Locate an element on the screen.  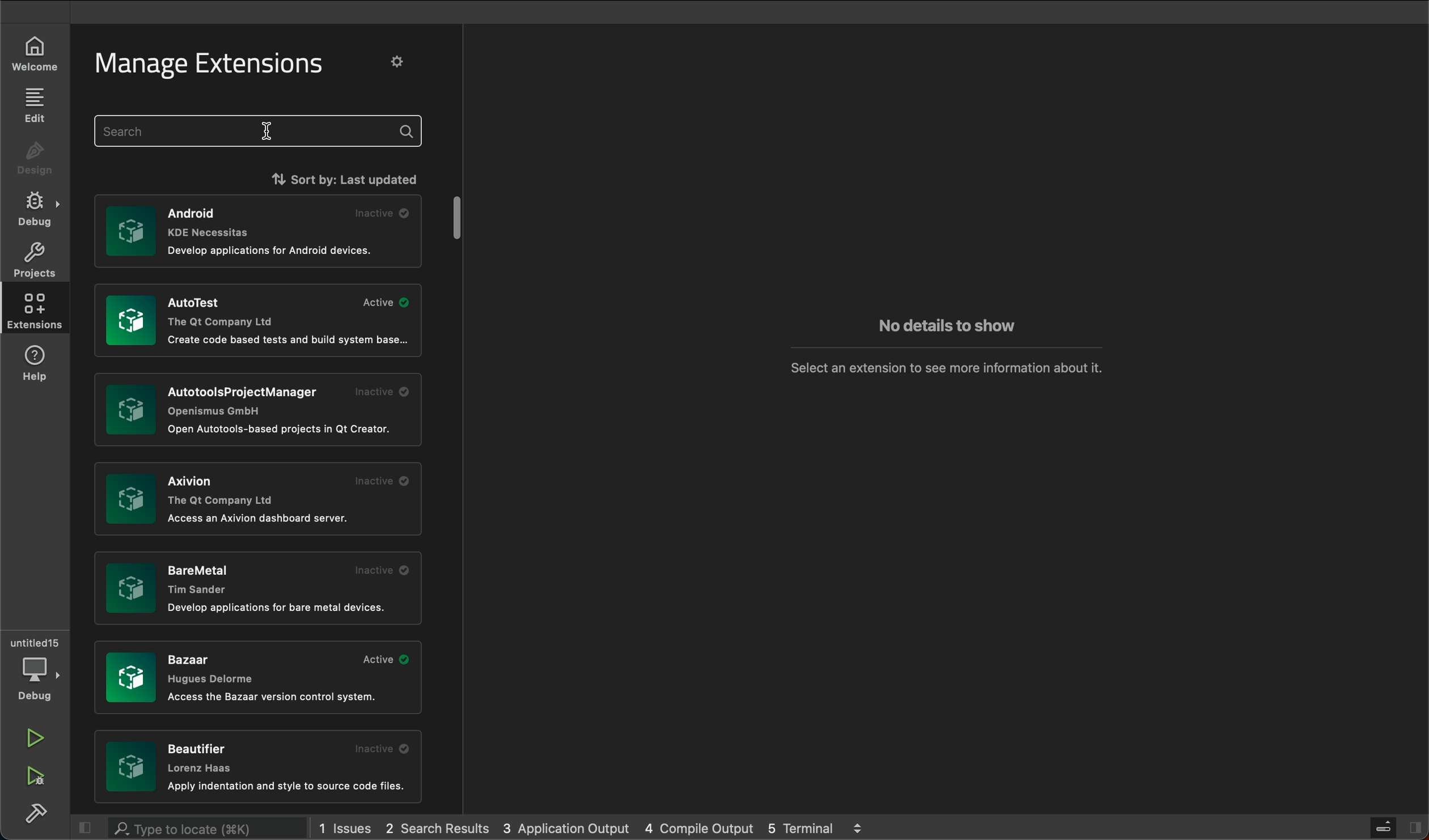
extension text is located at coordinates (223, 312).